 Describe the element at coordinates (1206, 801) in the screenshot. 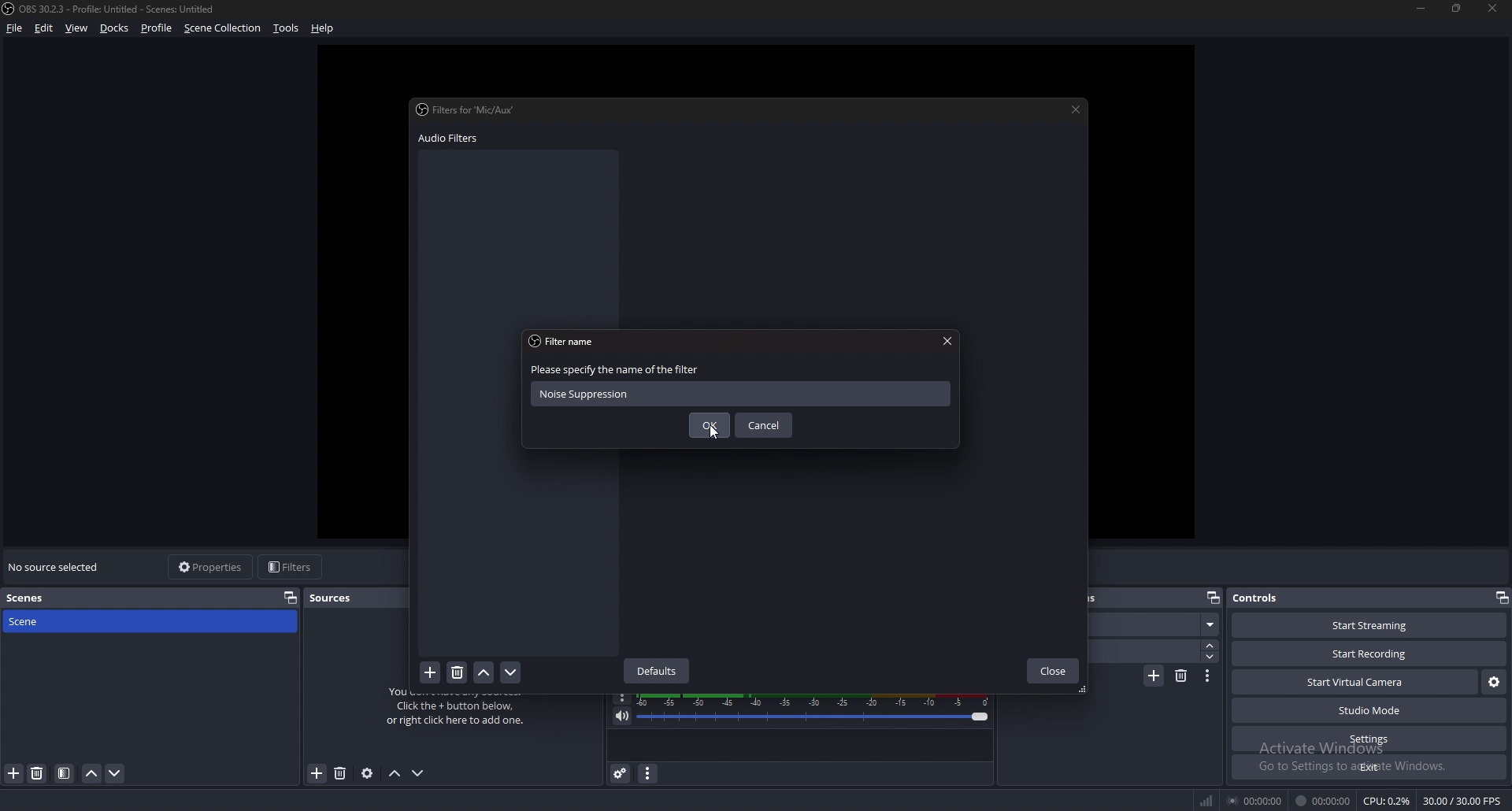

I see `network` at that location.